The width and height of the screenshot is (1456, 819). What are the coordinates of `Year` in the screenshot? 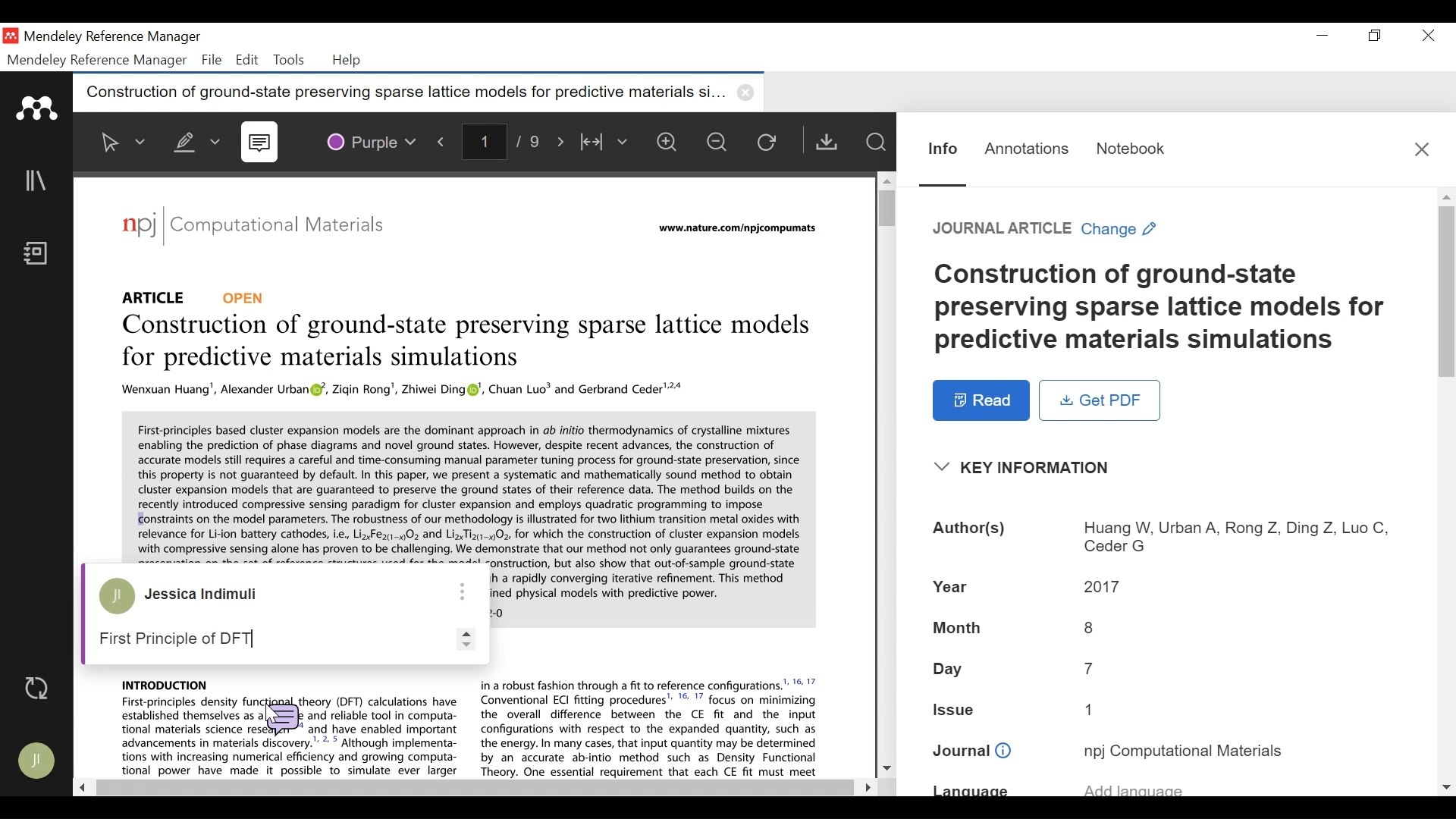 It's located at (1166, 587).